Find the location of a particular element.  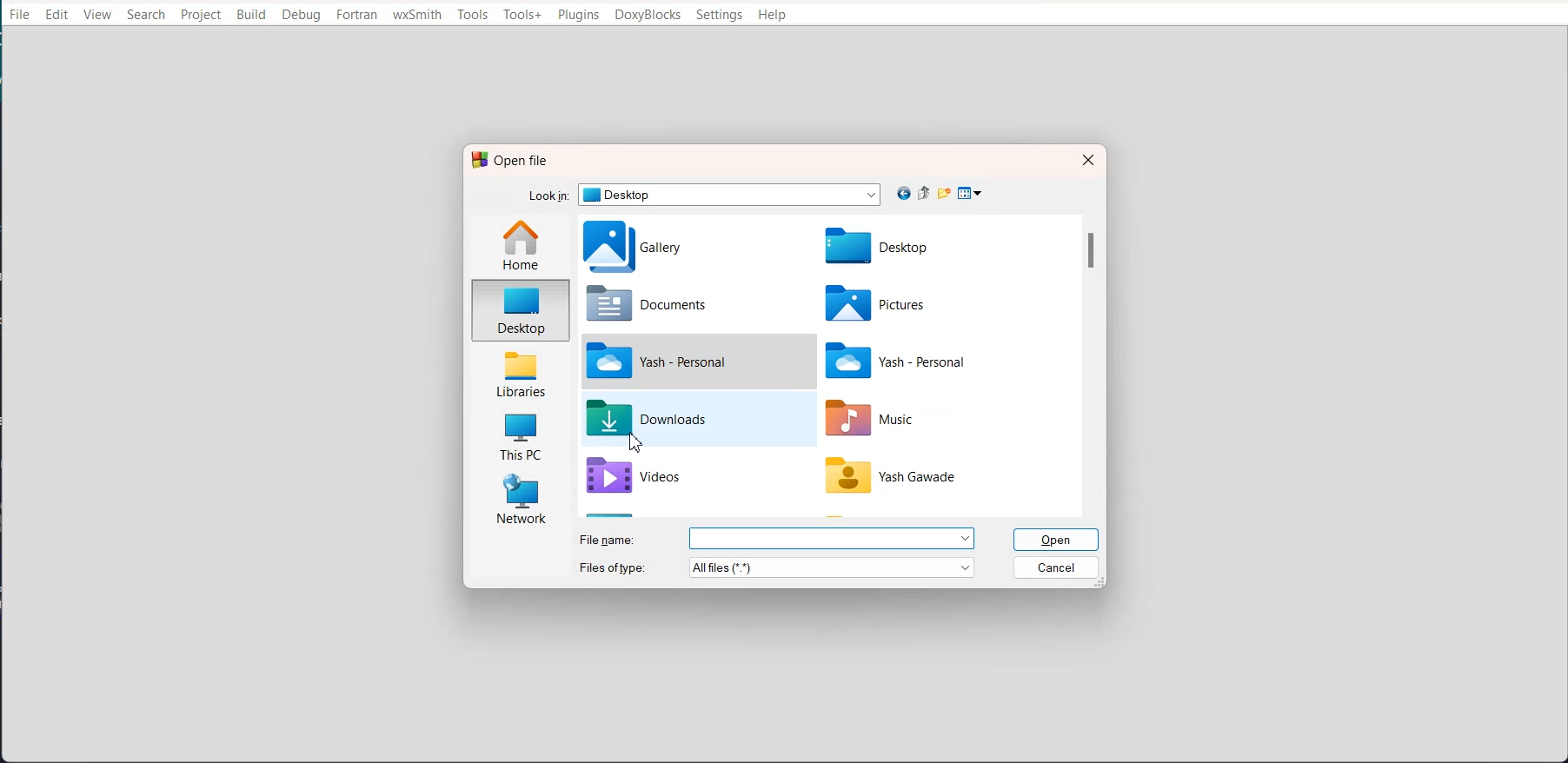

Vertical scroll bar is located at coordinates (1092, 356).